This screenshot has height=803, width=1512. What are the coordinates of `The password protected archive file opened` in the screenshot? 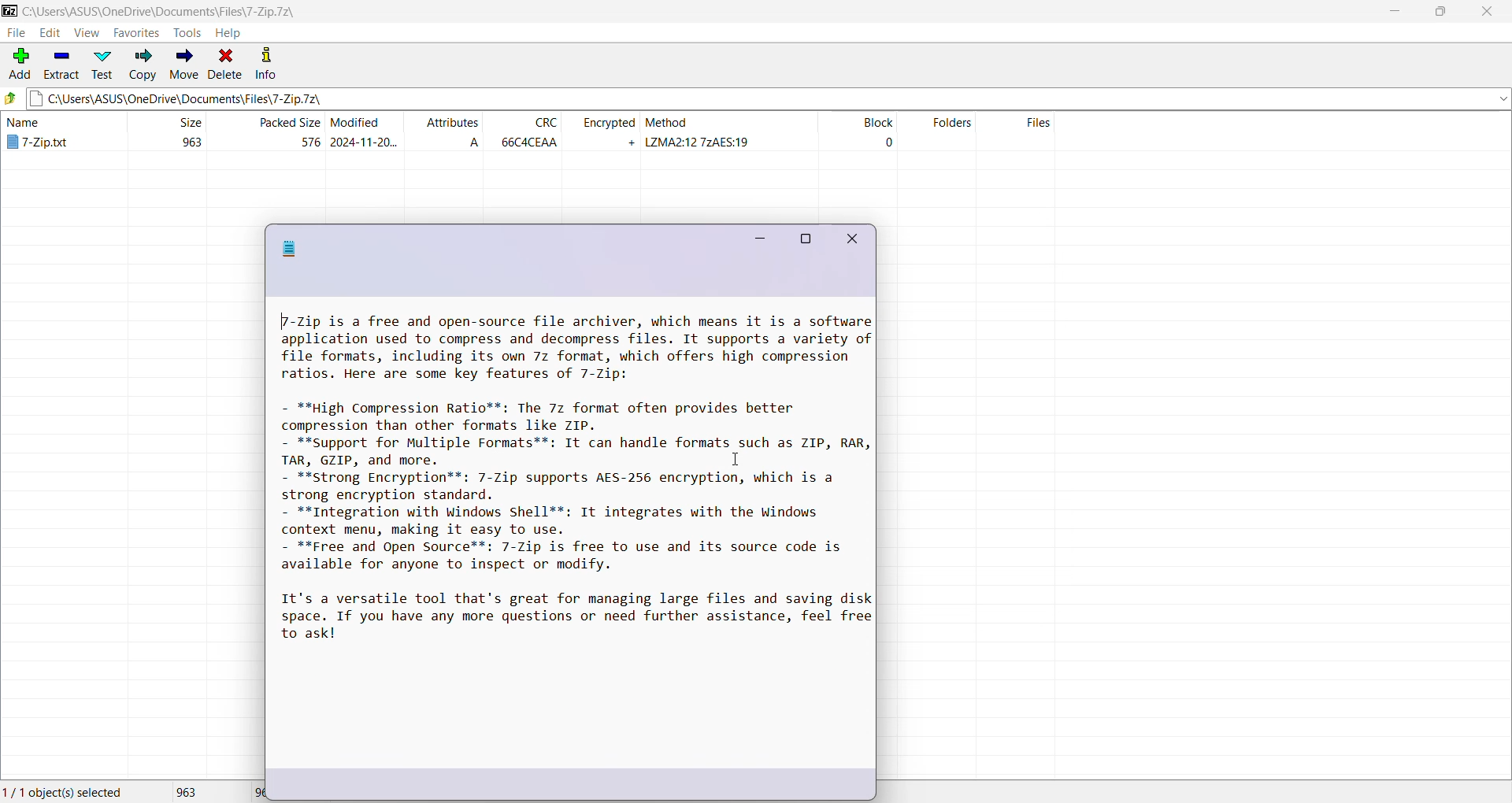 It's located at (570, 557).